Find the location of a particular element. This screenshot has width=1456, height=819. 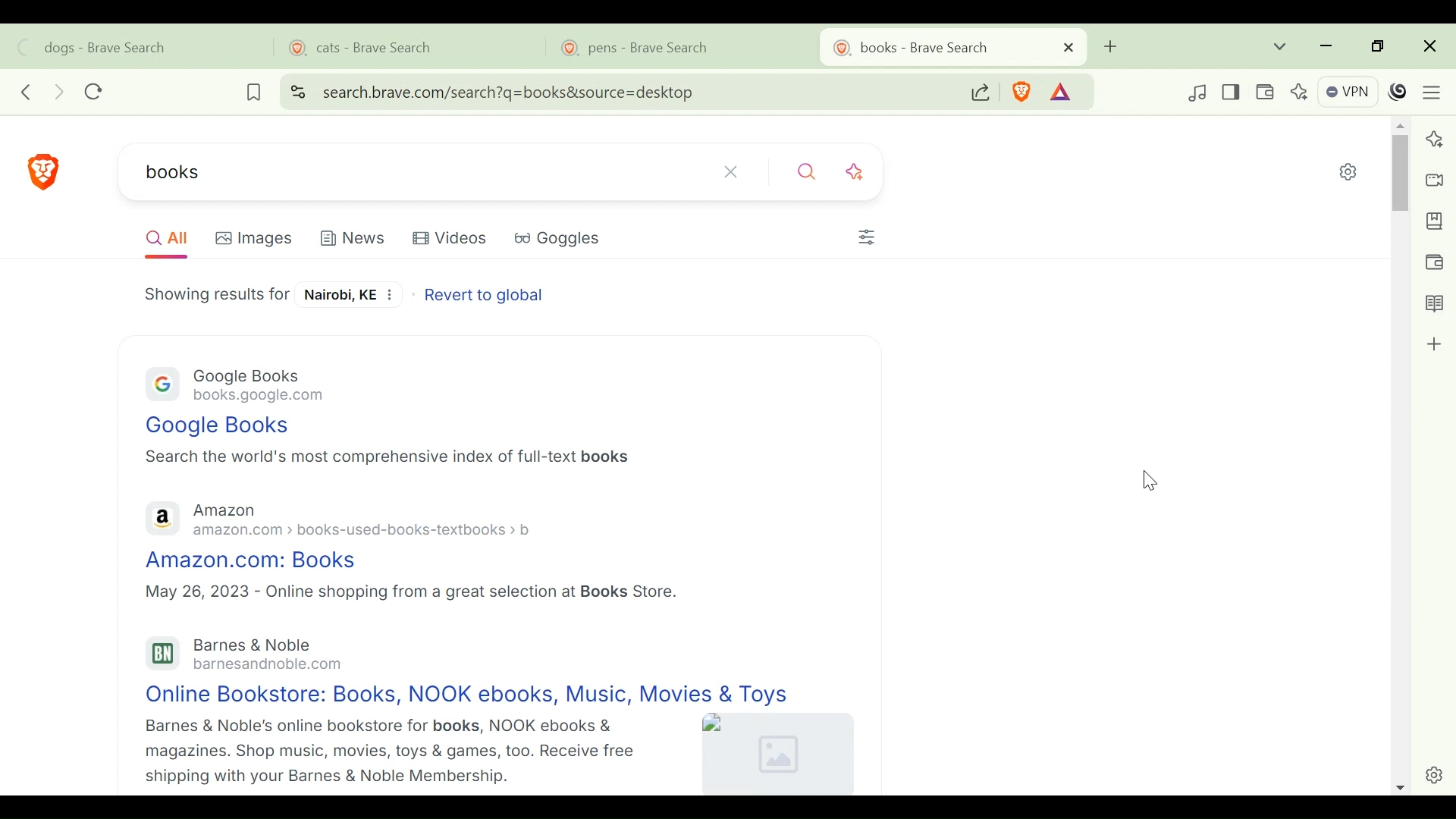

Quick settings is located at coordinates (1348, 172).